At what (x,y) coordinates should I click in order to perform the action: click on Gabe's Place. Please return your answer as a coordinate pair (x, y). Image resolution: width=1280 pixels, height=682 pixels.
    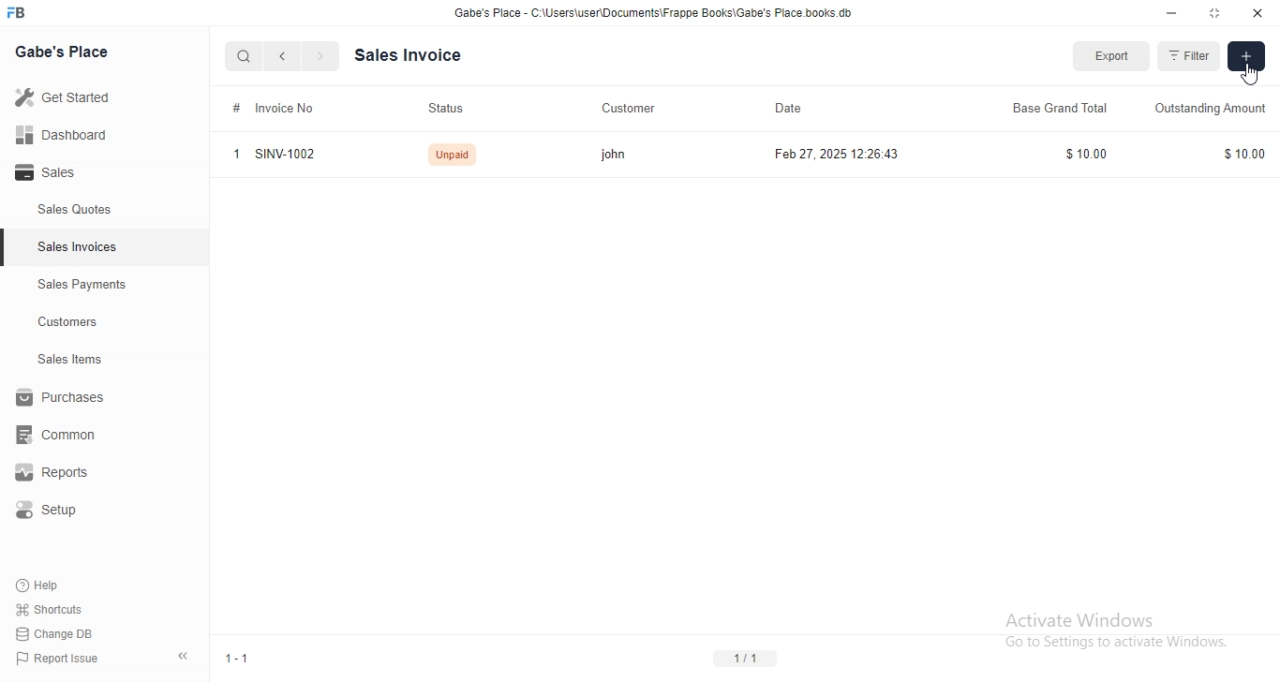
    Looking at the image, I should click on (66, 50).